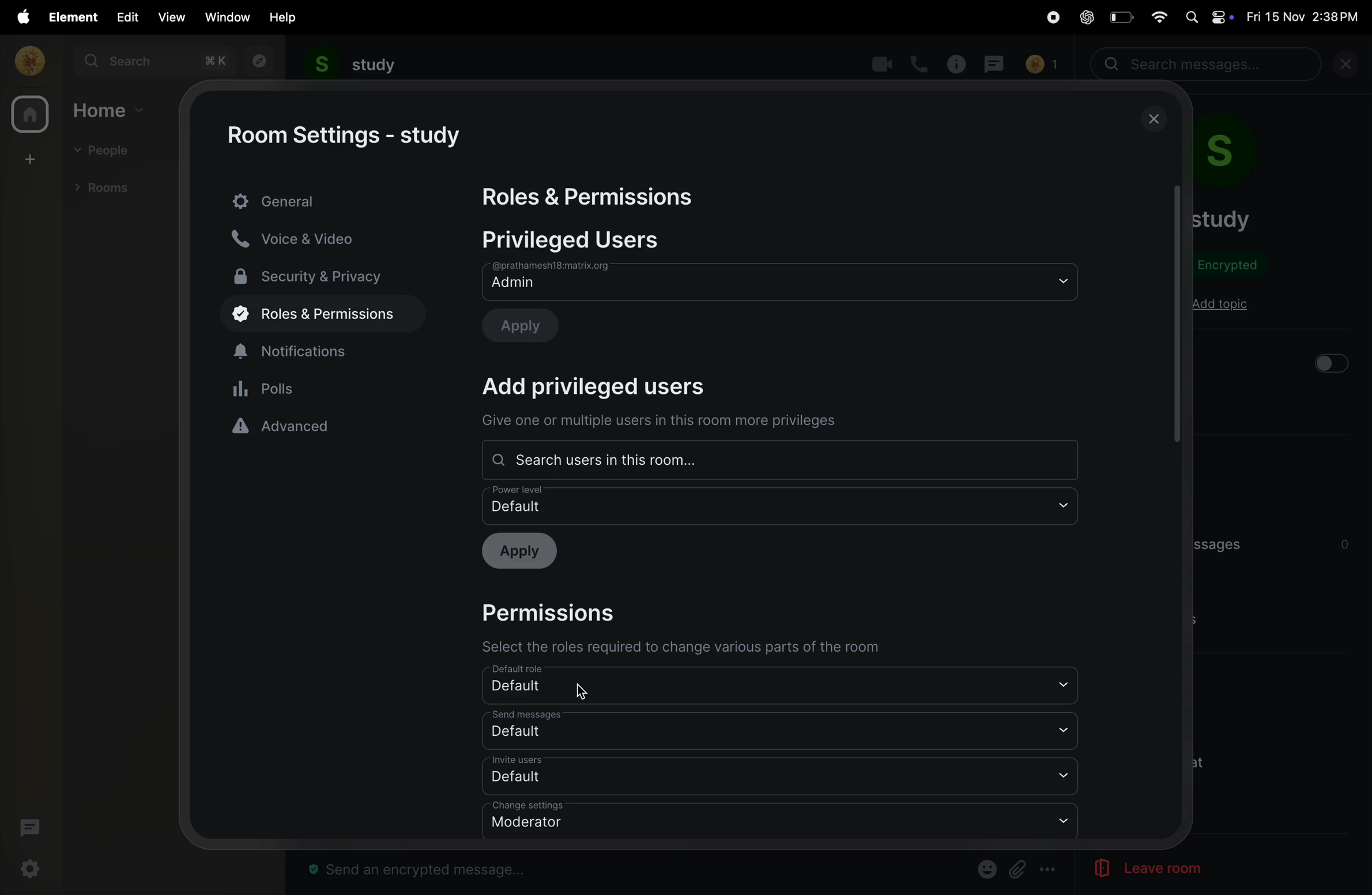 This screenshot has width=1372, height=895. I want to click on security and privacy , so click(316, 275).